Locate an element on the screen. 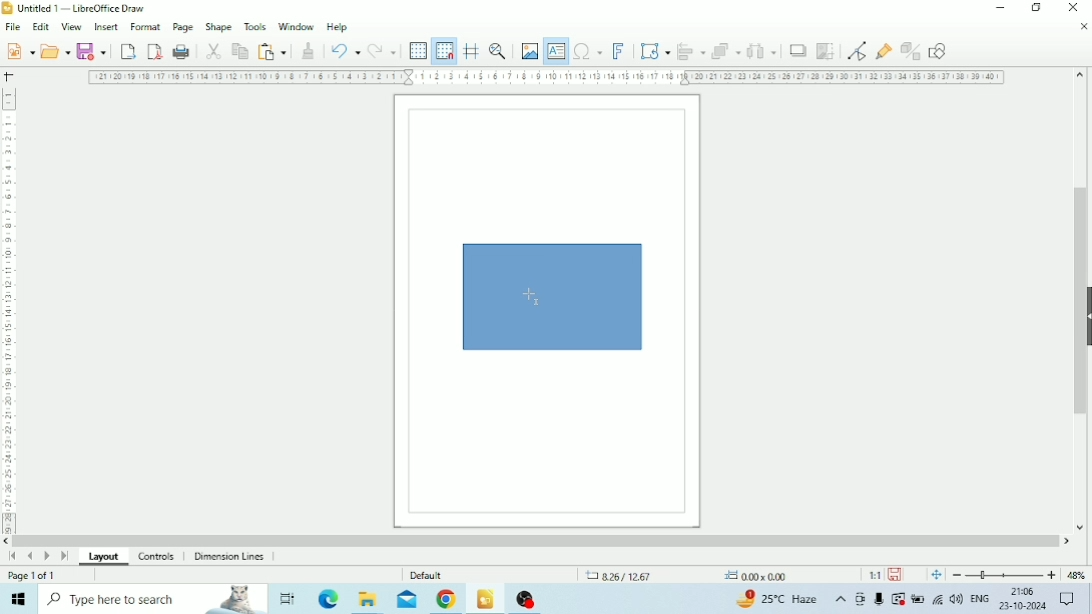 The height and width of the screenshot is (614, 1092). Help is located at coordinates (338, 28).